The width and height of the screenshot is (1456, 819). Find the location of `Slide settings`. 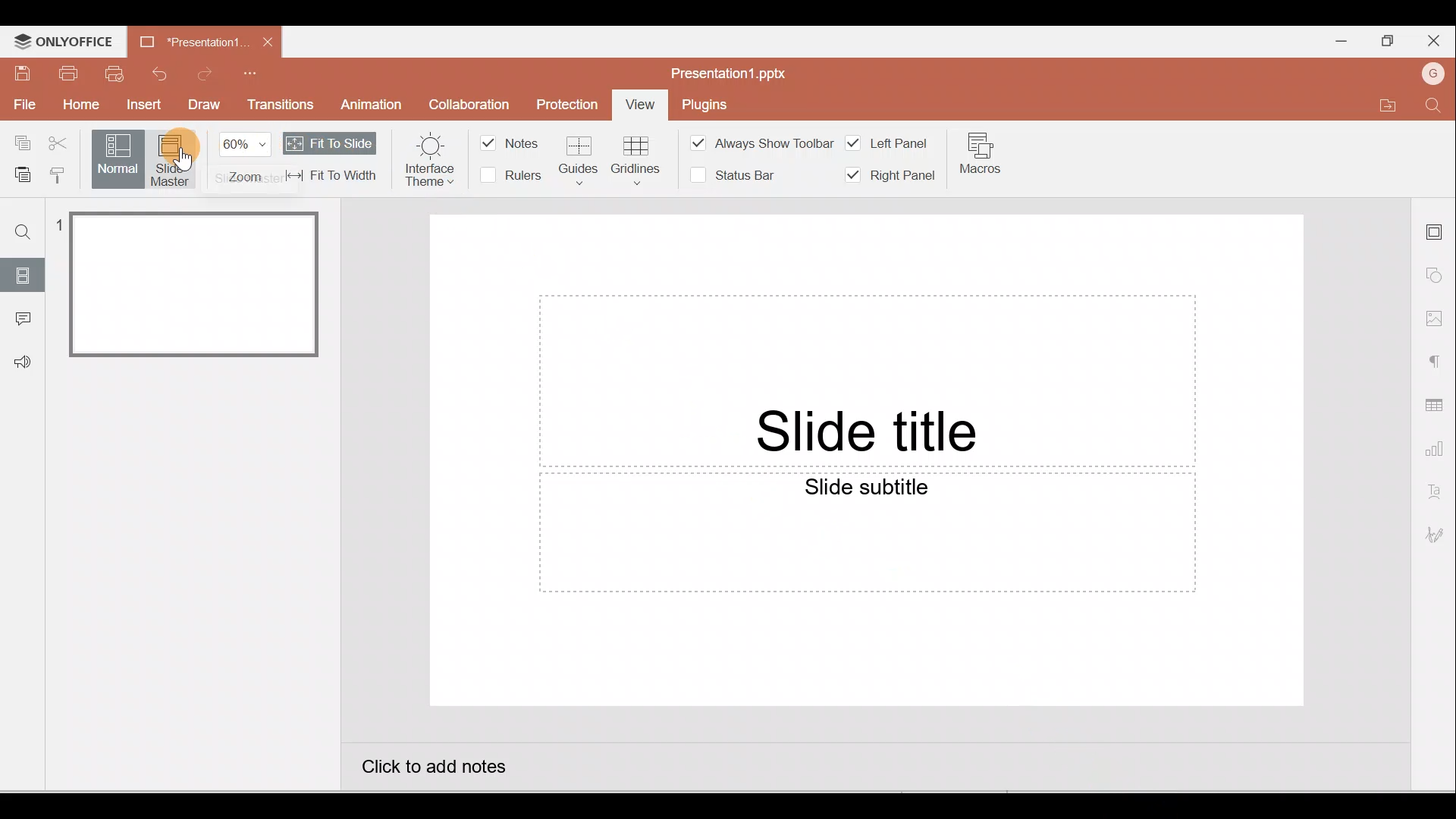

Slide settings is located at coordinates (1437, 227).